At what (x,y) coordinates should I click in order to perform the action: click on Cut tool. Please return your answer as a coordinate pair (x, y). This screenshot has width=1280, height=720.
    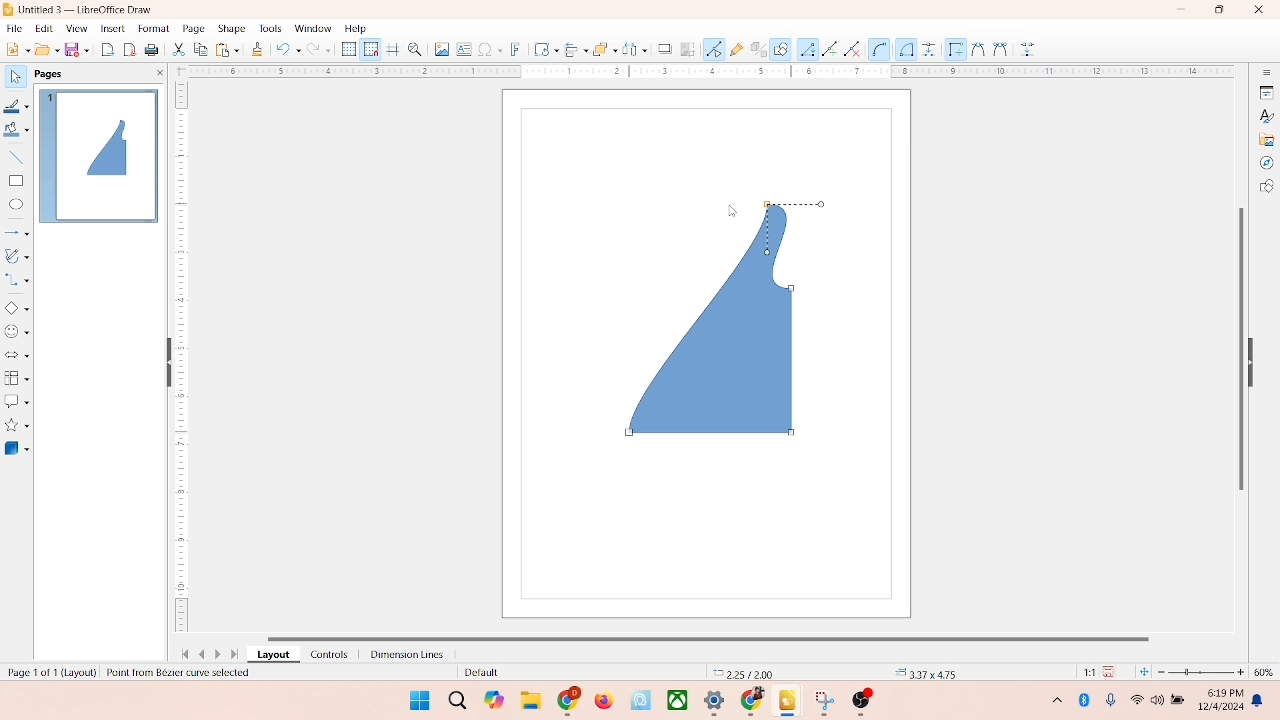
    Looking at the image, I should click on (973, 48).